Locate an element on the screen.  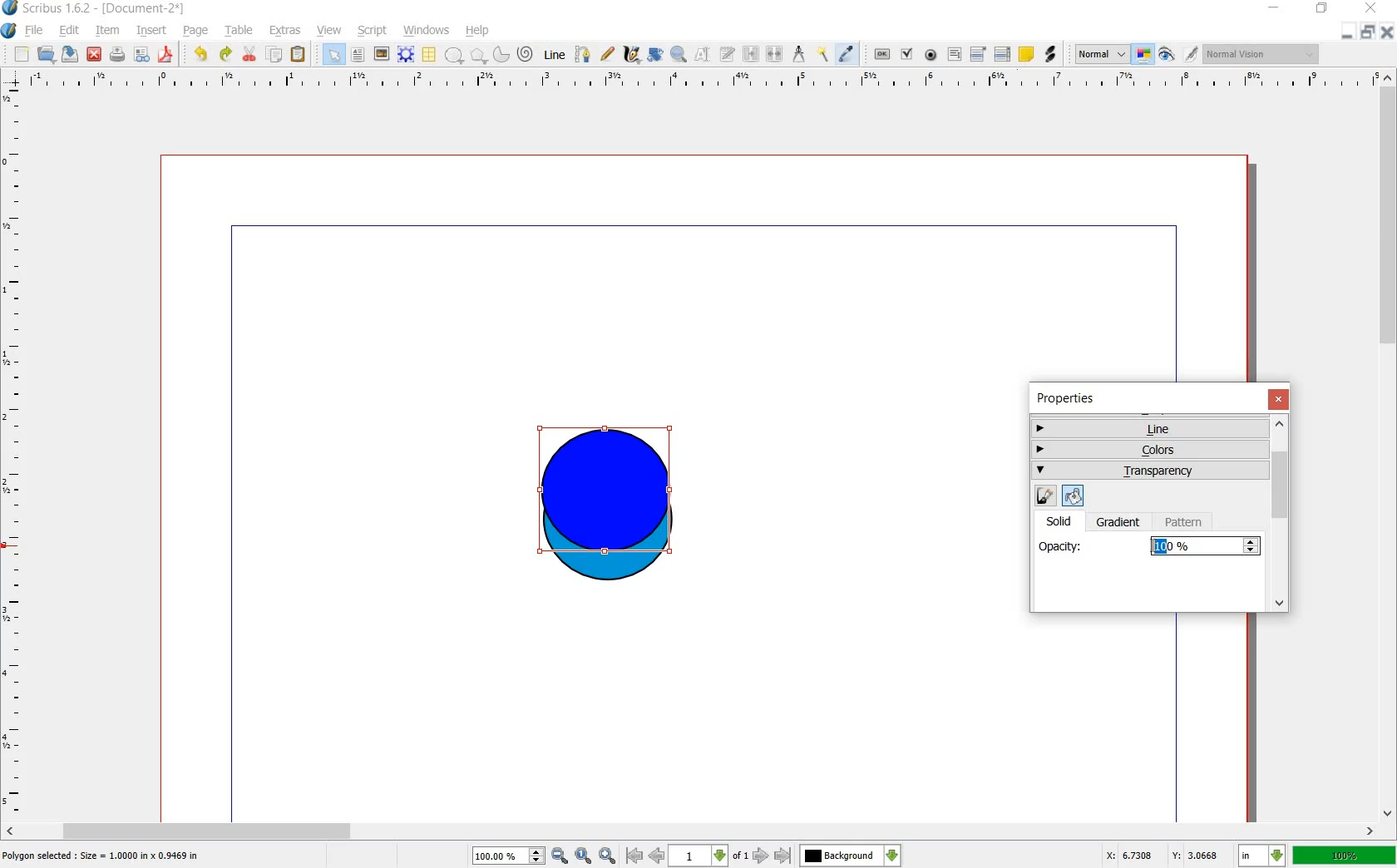
edit contents of frame is located at coordinates (701, 54).